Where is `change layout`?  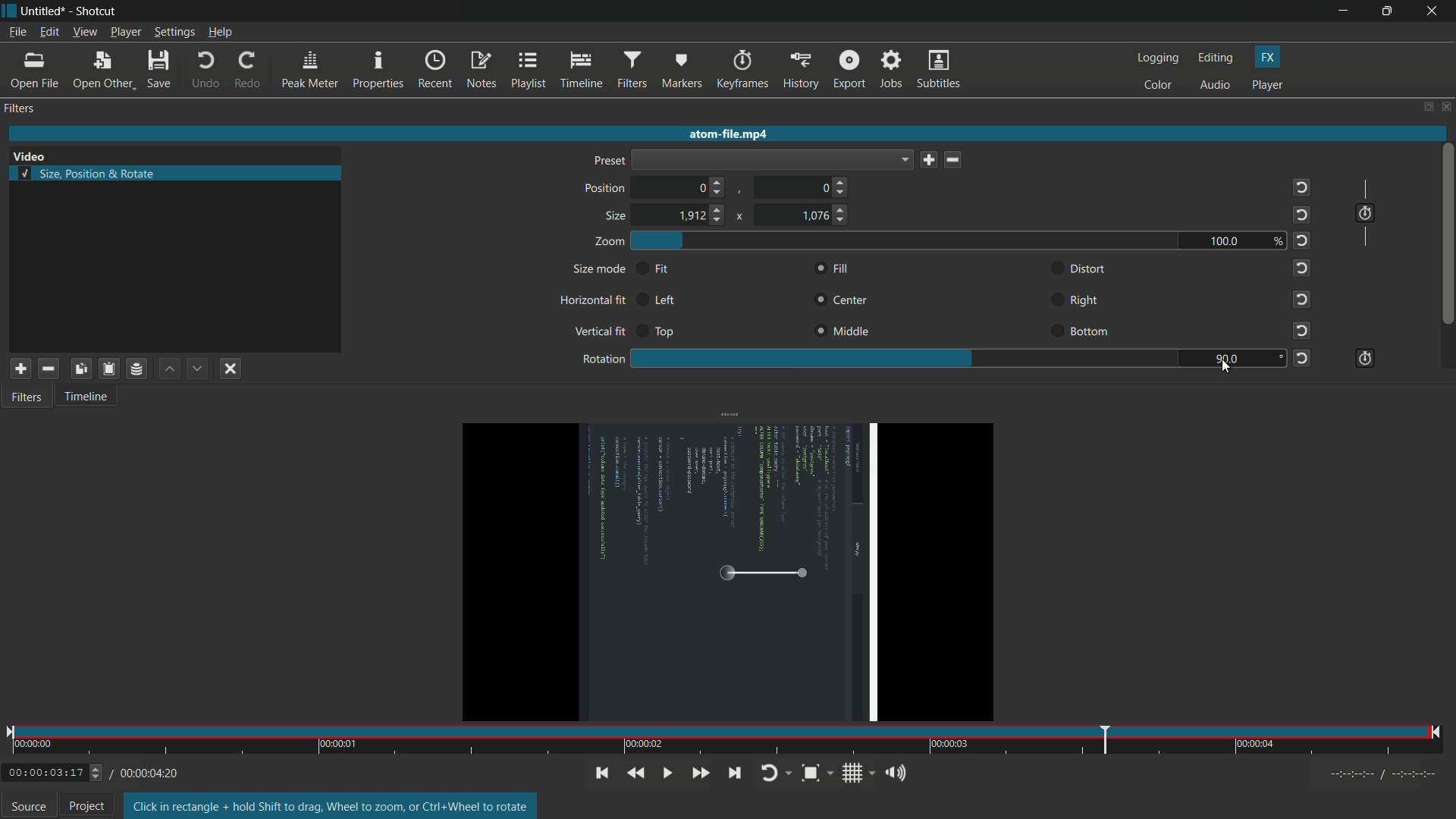 change layout is located at coordinates (1423, 105).